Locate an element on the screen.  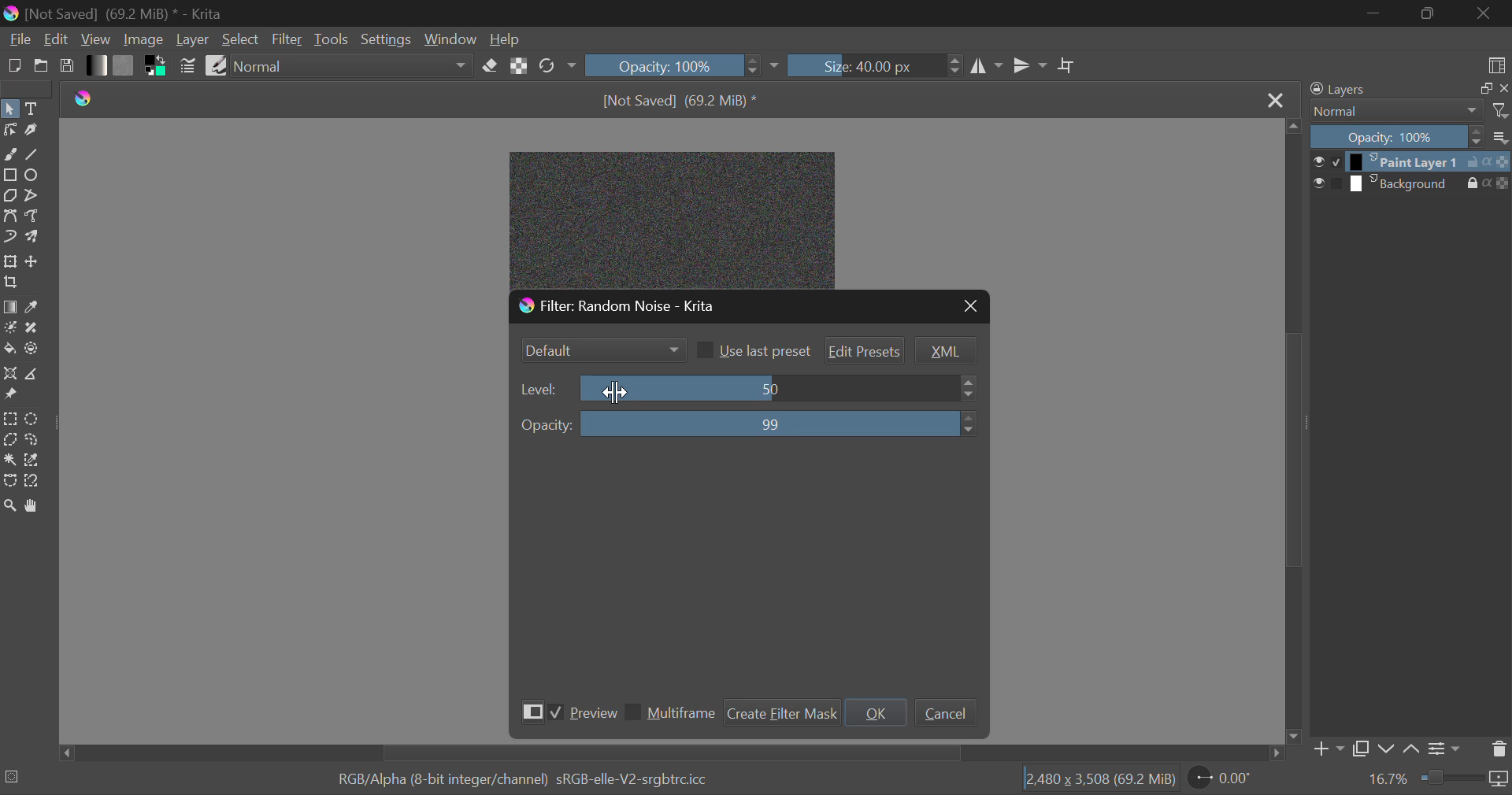
Lock Alpha is located at coordinates (519, 65).